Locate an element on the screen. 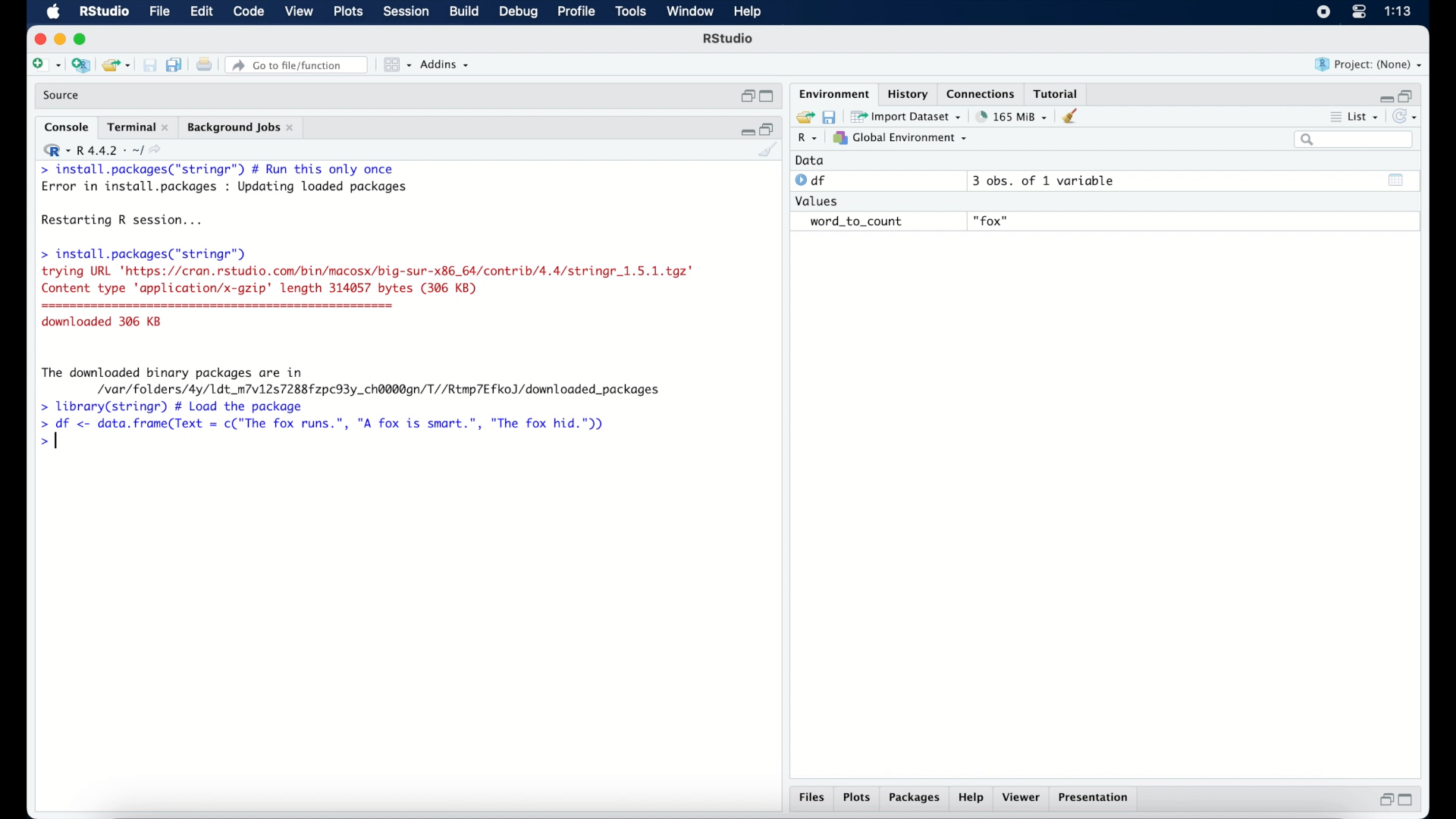  view in pane is located at coordinates (396, 65).